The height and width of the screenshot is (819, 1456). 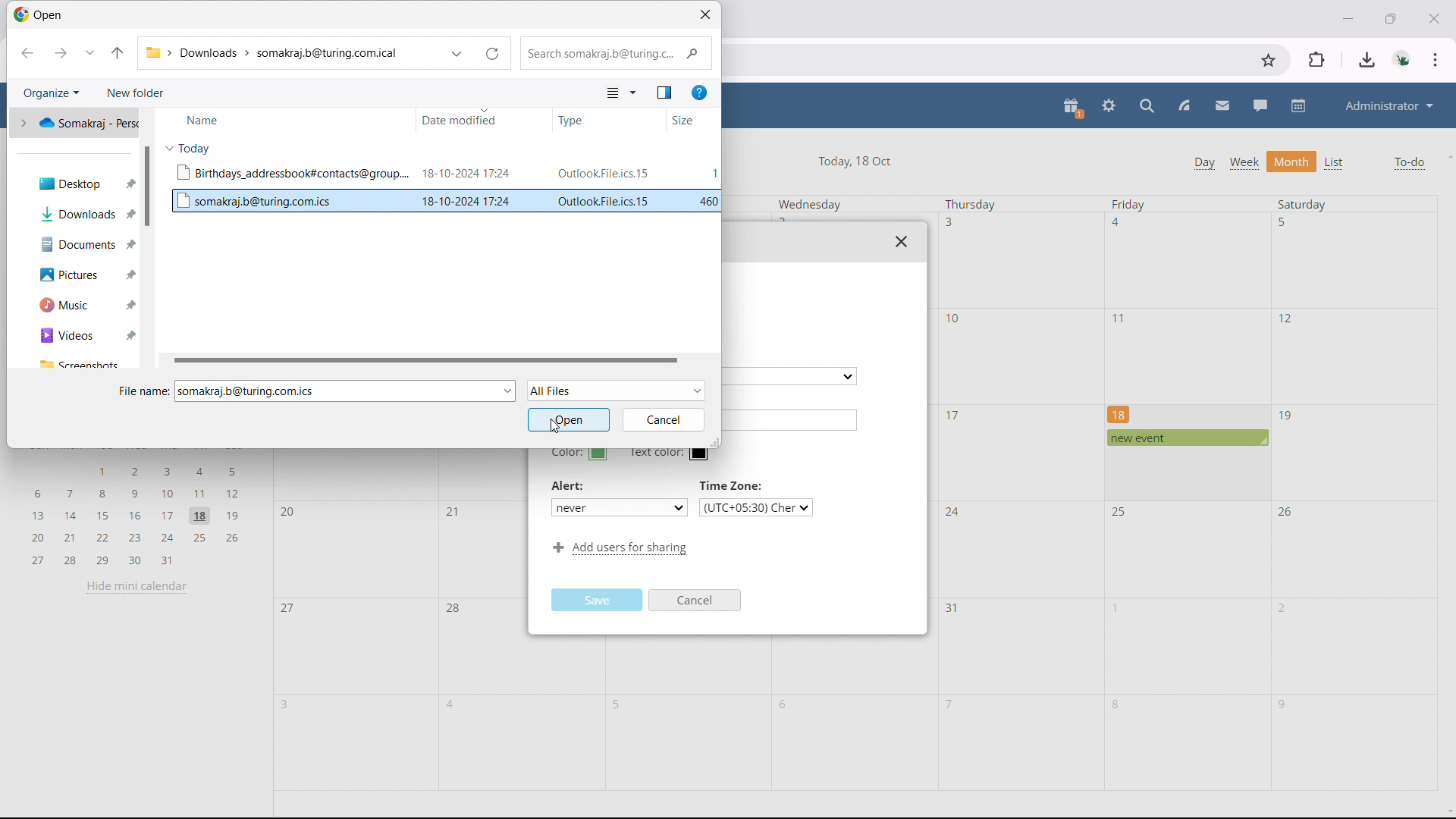 What do you see at coordinates (1269, 61) in the screenshot?
I see `bookmark this tab` at bounding box center [1269, 61].